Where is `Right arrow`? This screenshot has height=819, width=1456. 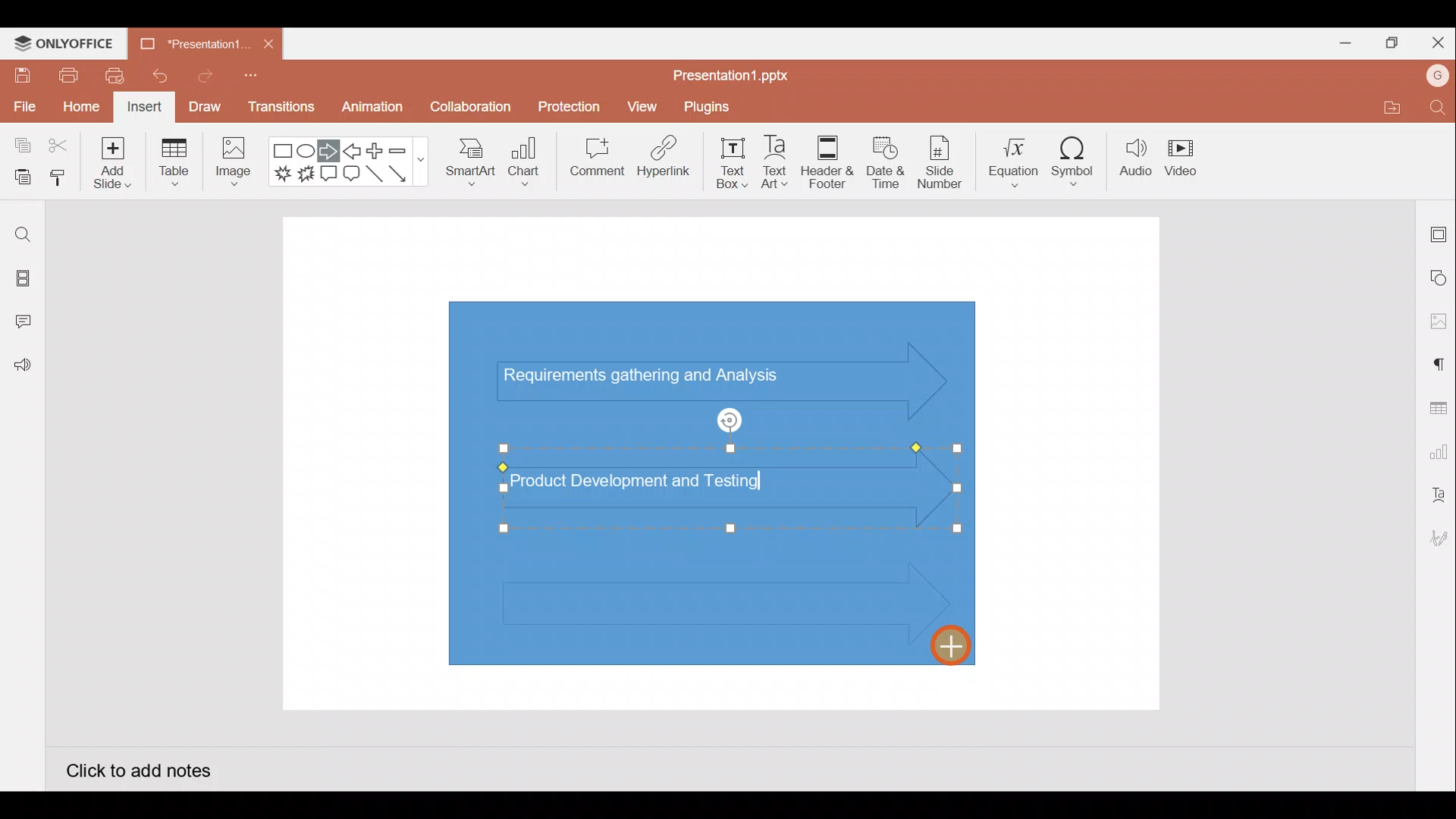 Right arrow is located at coordinates (328, 152).